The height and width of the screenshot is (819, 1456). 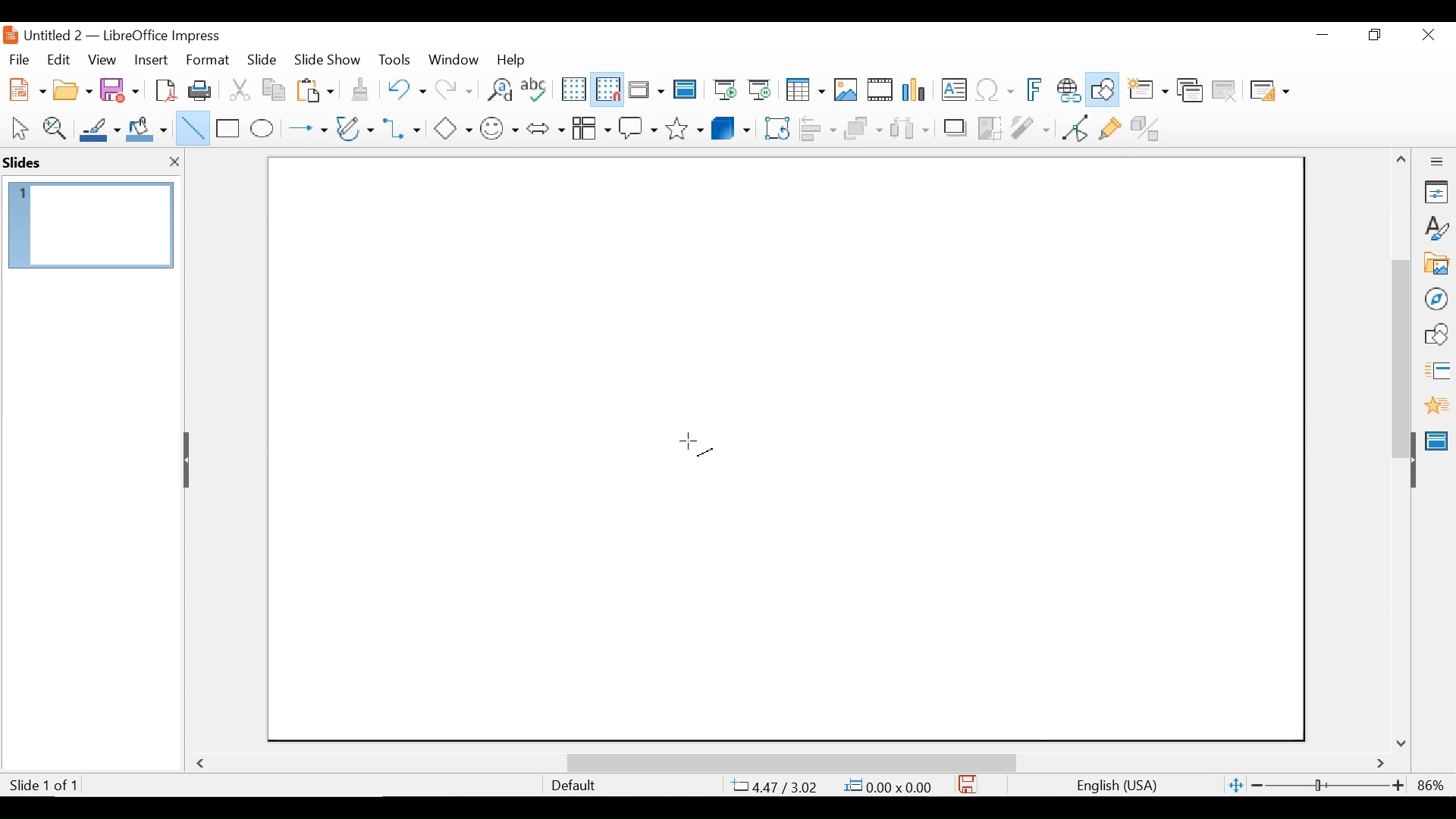 What do you see at coordinates (861, 127) in the screenshot?
I see `Arrange` at bounding box center [861, 127].